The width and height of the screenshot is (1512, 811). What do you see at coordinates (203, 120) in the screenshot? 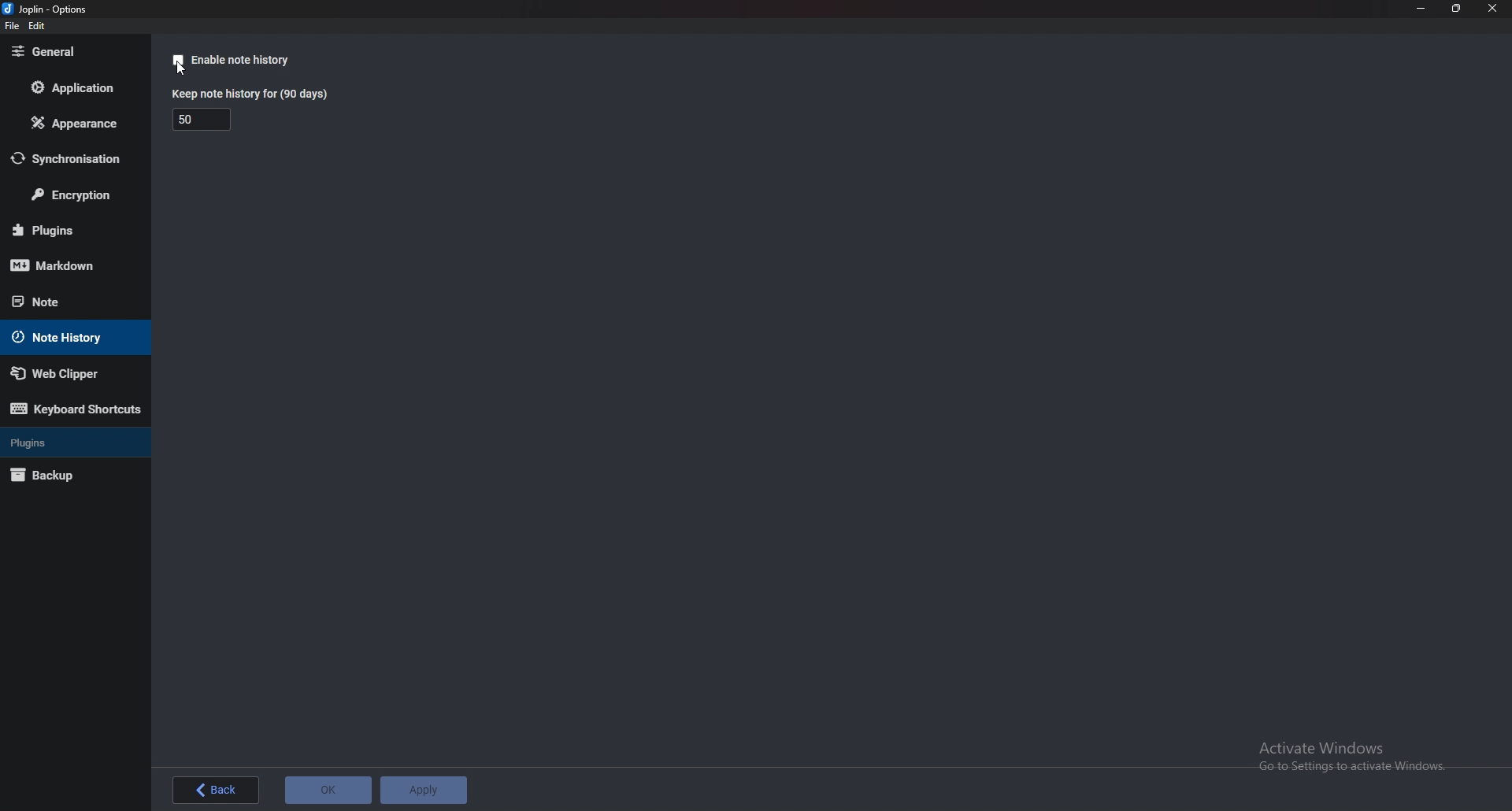
I see `50 ` at bounding box center [203, 120].